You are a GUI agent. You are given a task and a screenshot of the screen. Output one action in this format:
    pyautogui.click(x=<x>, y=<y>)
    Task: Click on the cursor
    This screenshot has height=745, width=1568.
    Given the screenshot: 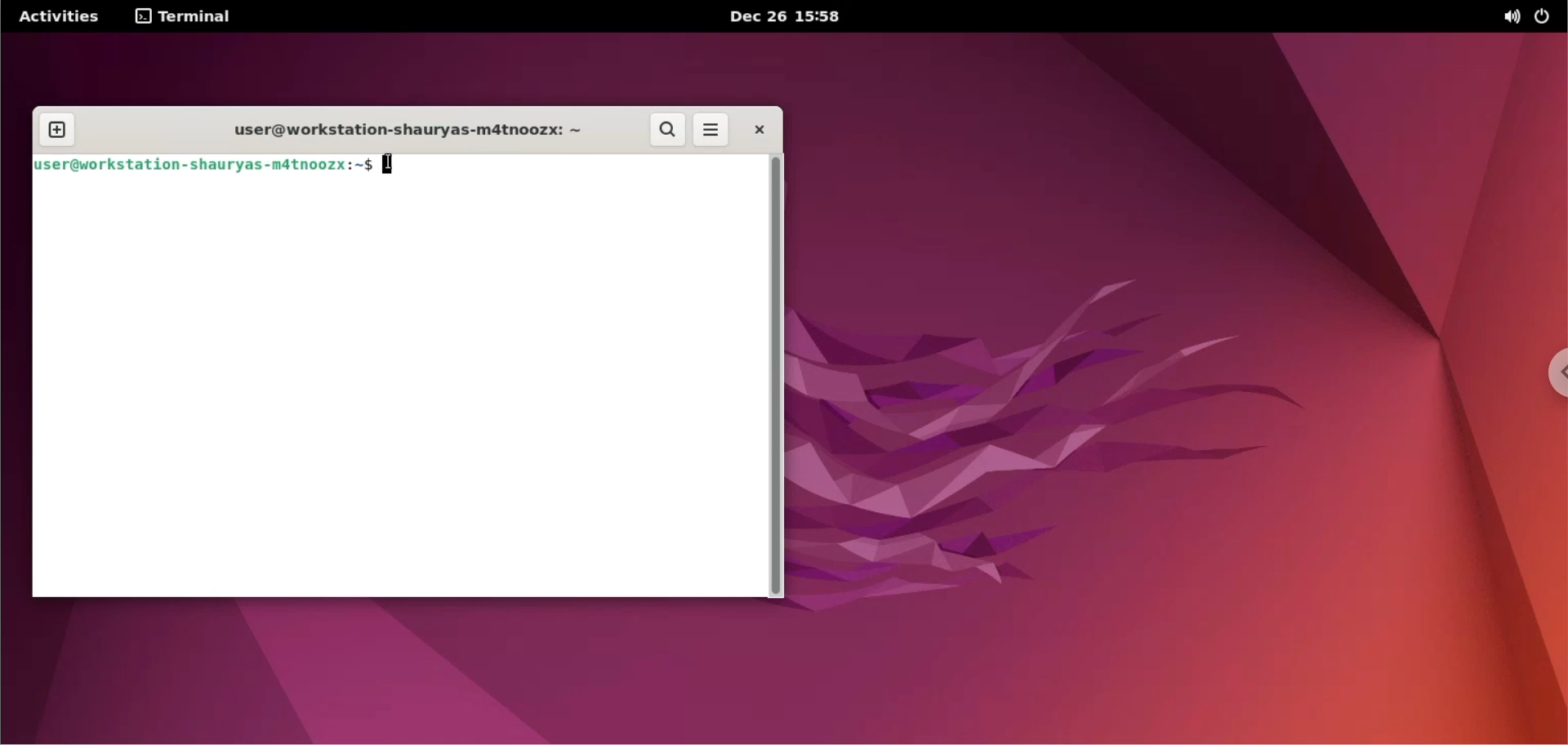 What is the action you would take?
    pyautogui.click(x=396, y=167)
    